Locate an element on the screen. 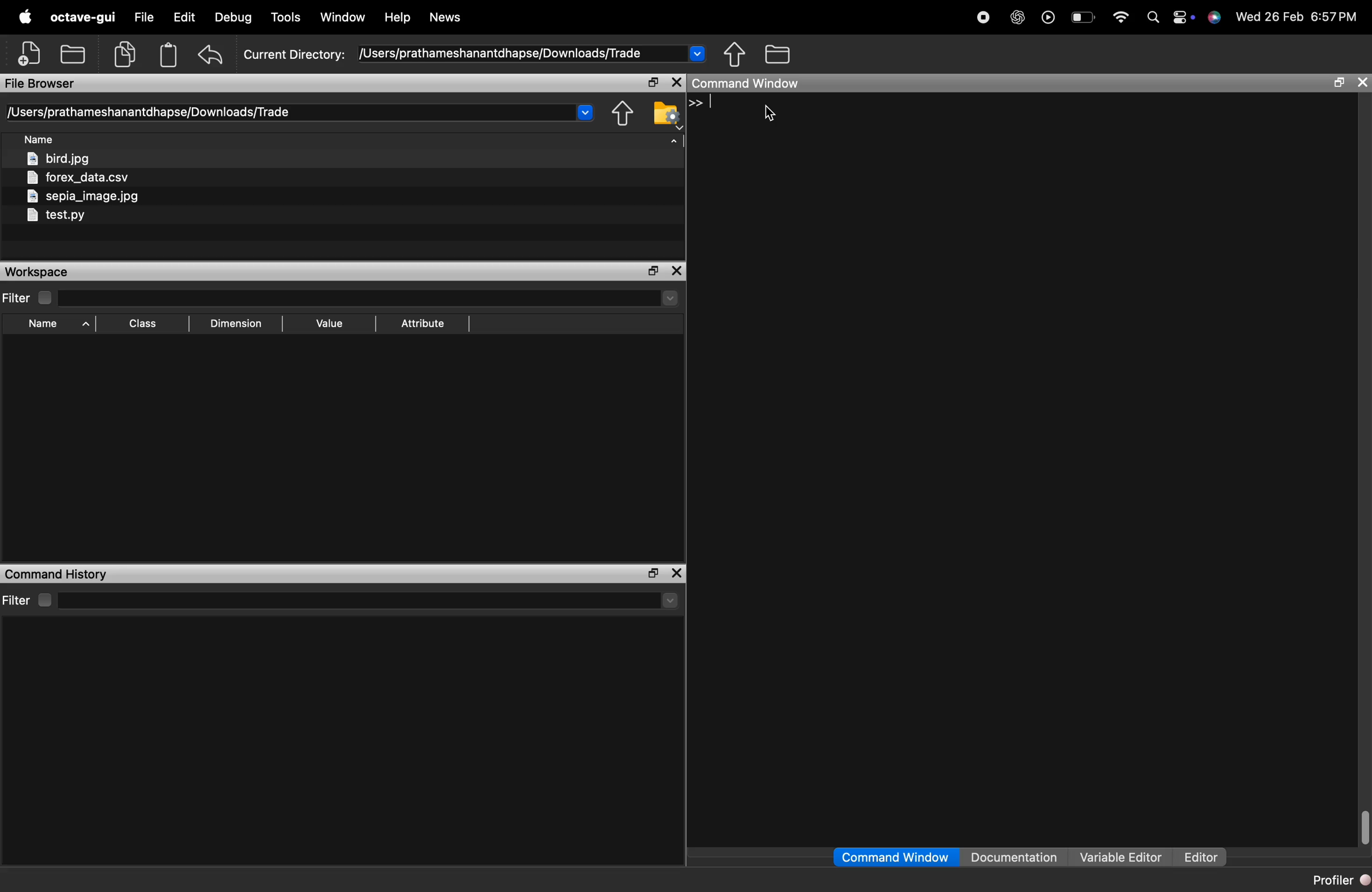  time and date is located at coordinates (1300, 17).